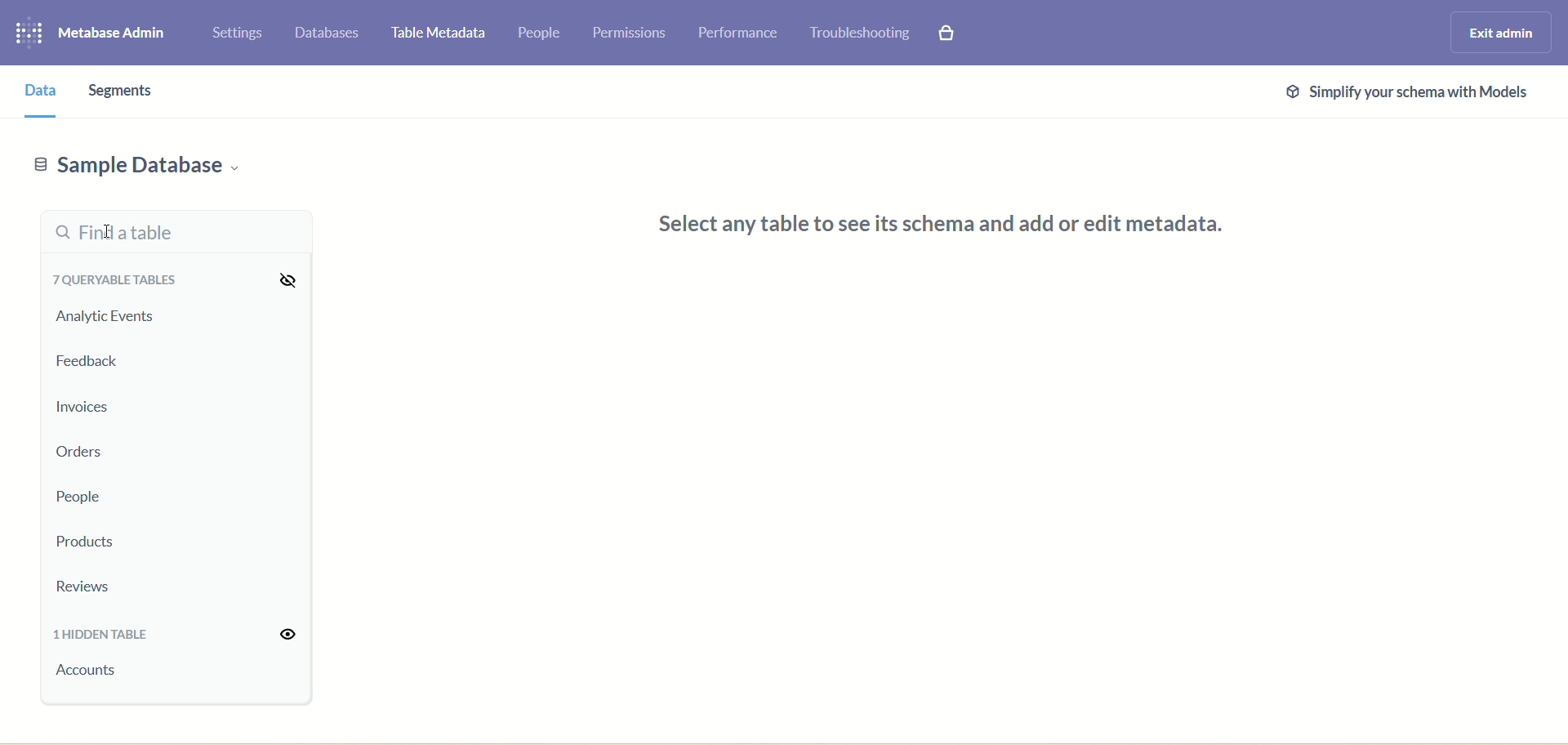  I want to click on invoices, so click(82, 412).